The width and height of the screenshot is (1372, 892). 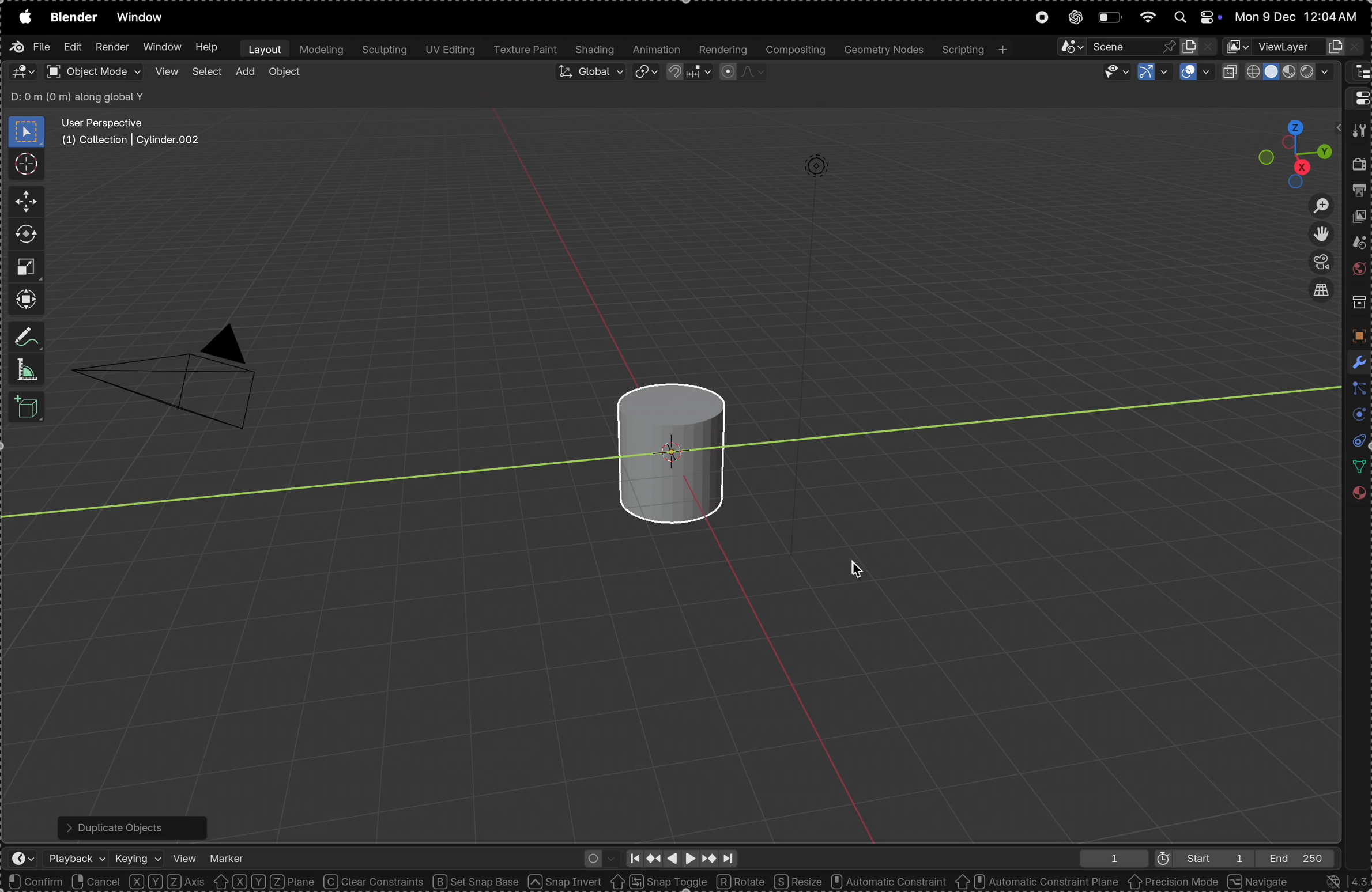 What do you see at coordinates (1356, 467) in the screenshot?
I see `data` at bounding box center [1356, 467].